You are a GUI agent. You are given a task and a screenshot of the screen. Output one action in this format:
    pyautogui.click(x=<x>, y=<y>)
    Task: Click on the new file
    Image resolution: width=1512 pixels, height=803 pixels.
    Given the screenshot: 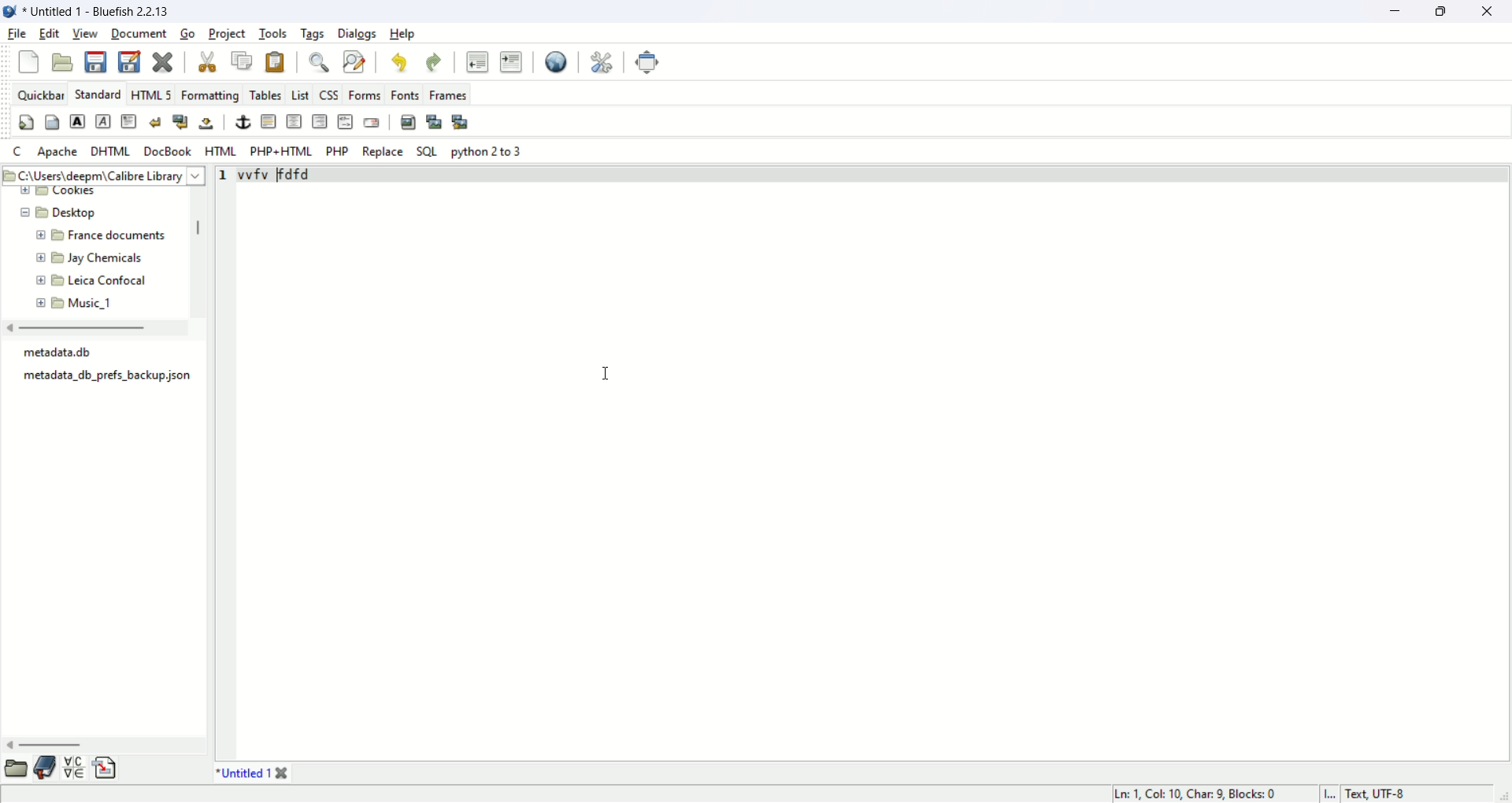 What is the action you would take?
    pyautogui.click(x=30, y=61)
    